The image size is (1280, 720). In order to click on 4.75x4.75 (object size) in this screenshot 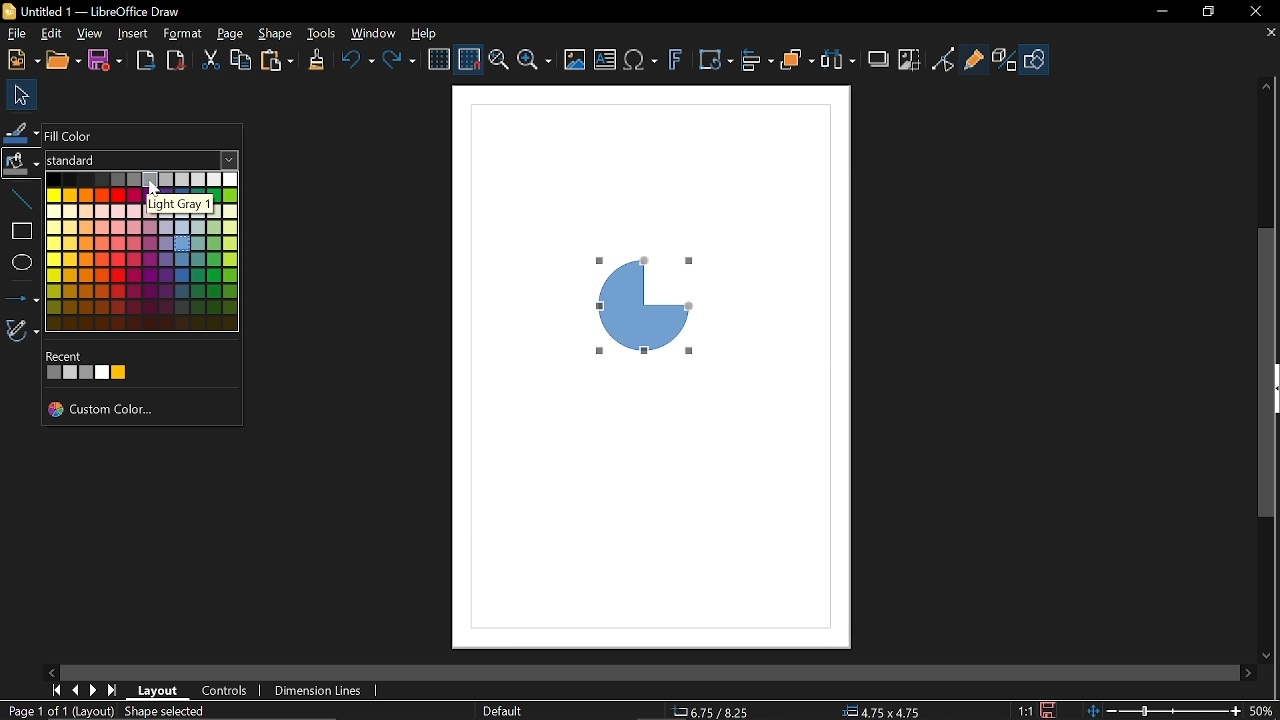, I will do `click(880, 712)`.